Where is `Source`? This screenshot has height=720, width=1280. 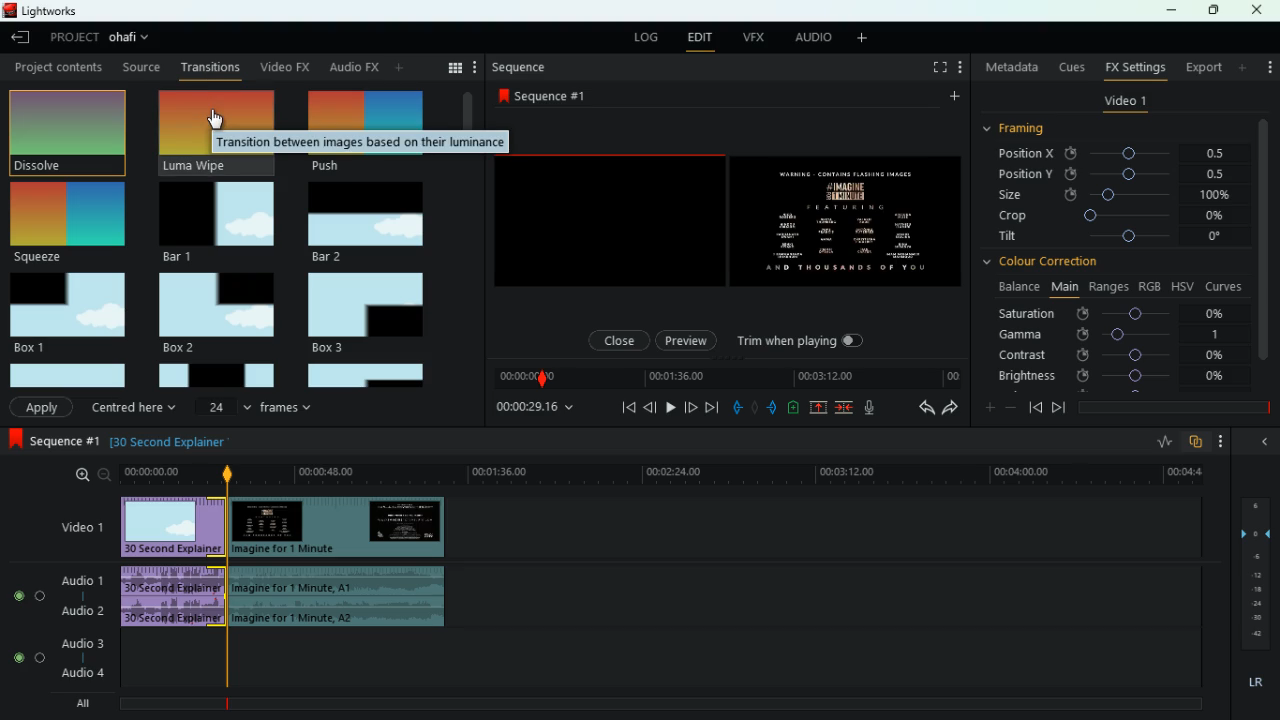
Source is located at coordinates (142, 67).